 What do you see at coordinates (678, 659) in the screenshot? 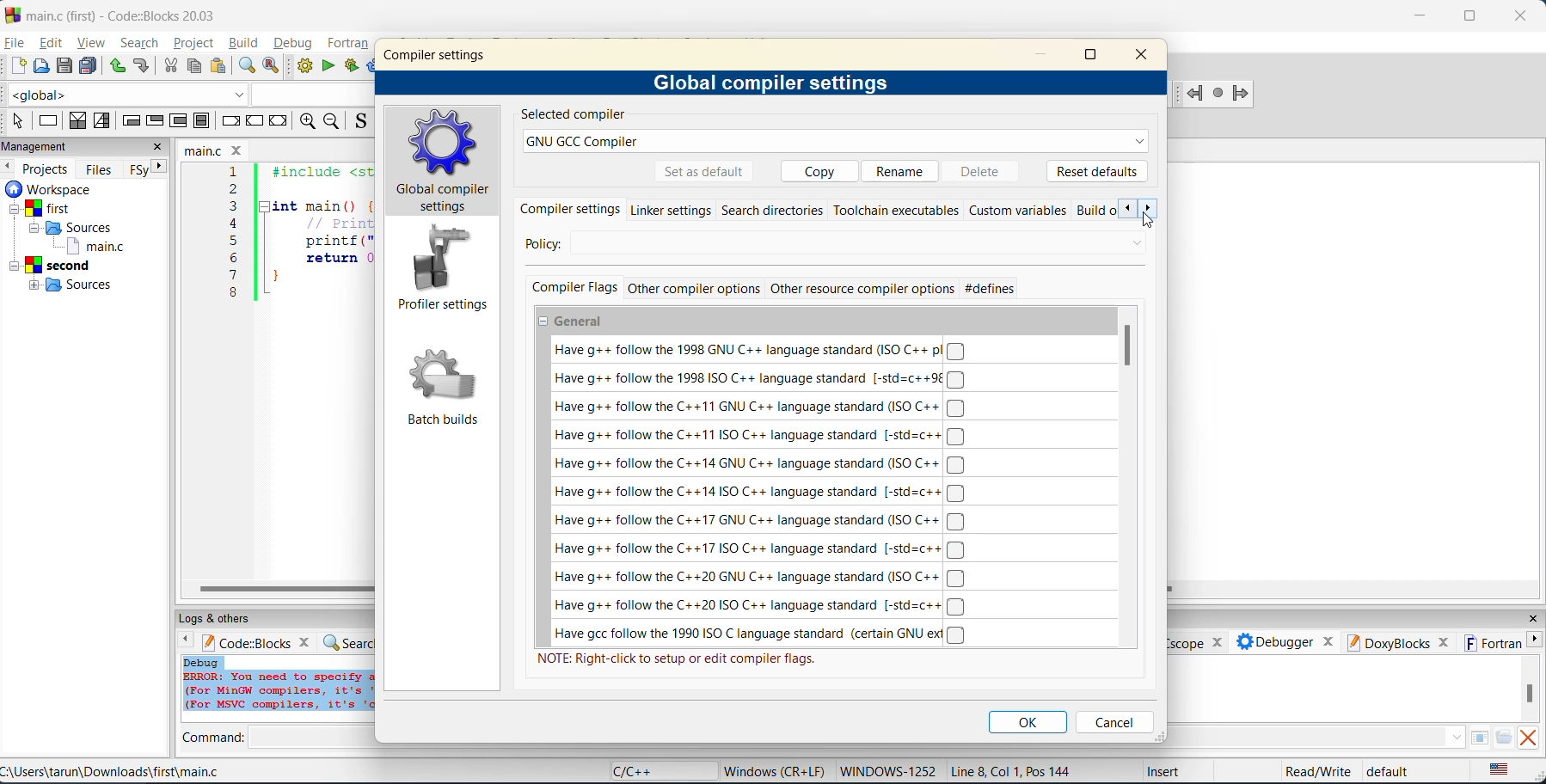
I see `NOTE: Right-click to setup or edit compiler flags.` at bounding box center [678, 659].